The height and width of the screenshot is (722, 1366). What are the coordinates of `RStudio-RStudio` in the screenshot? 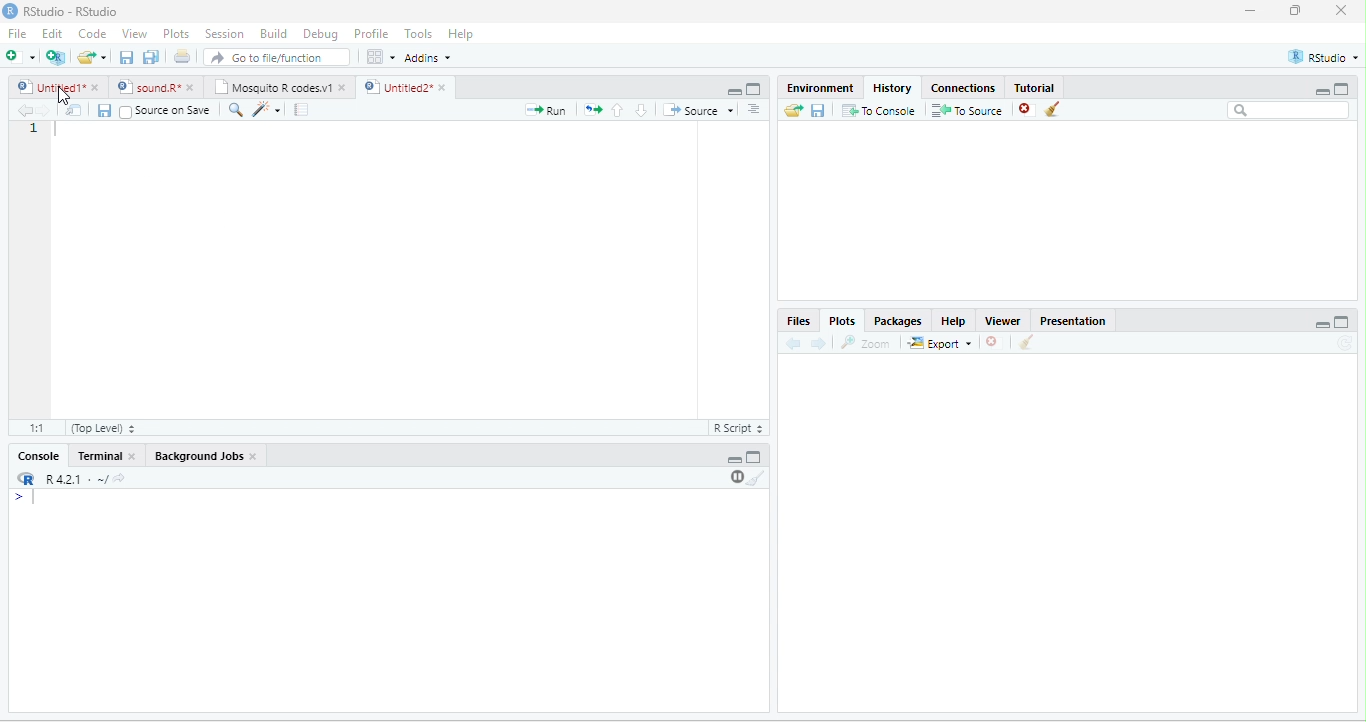 It's located at (72, 11).